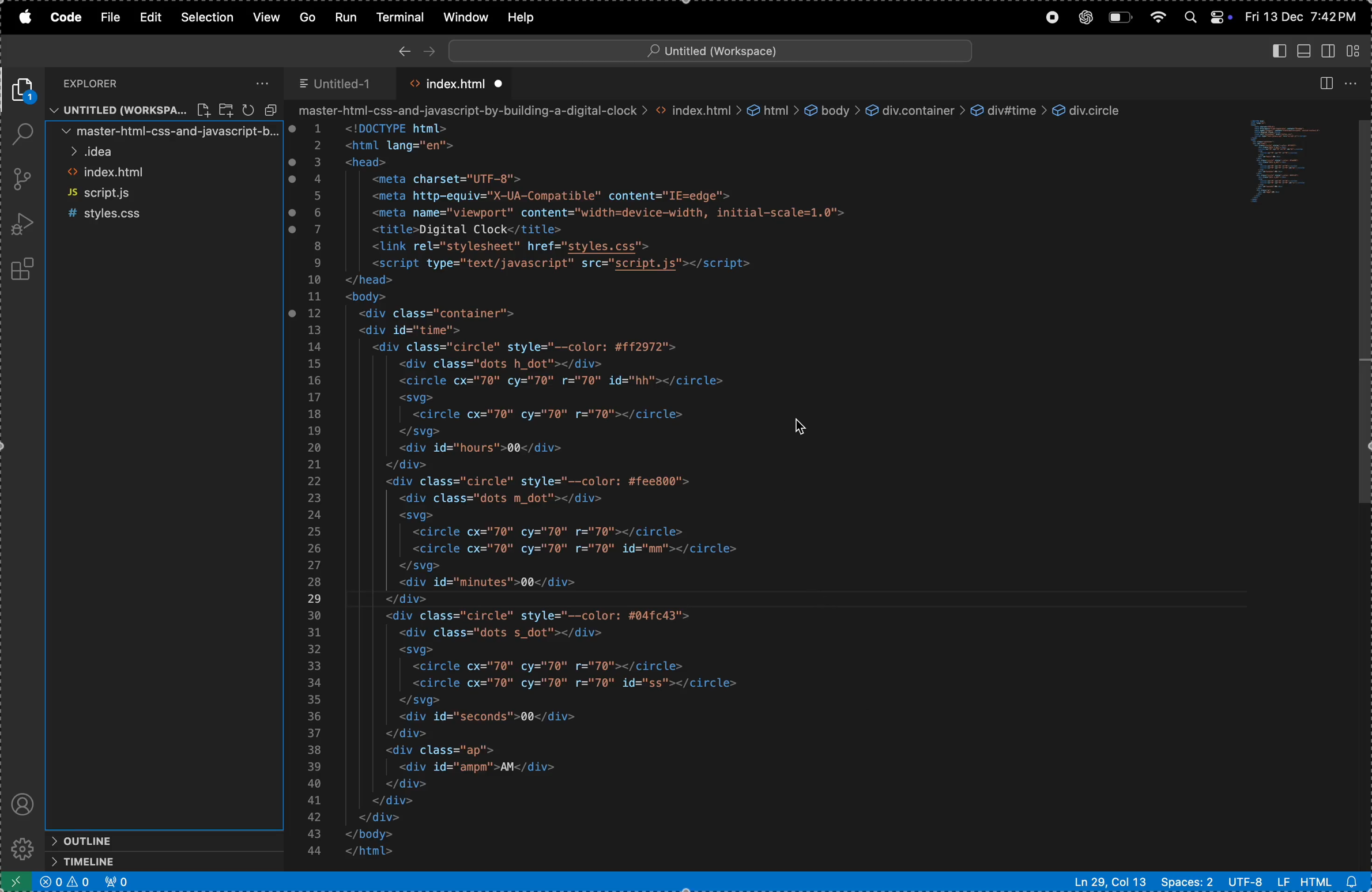 This screenshot has width=1372, height=892. I want to click on apple widgets, so click(1207, 14).